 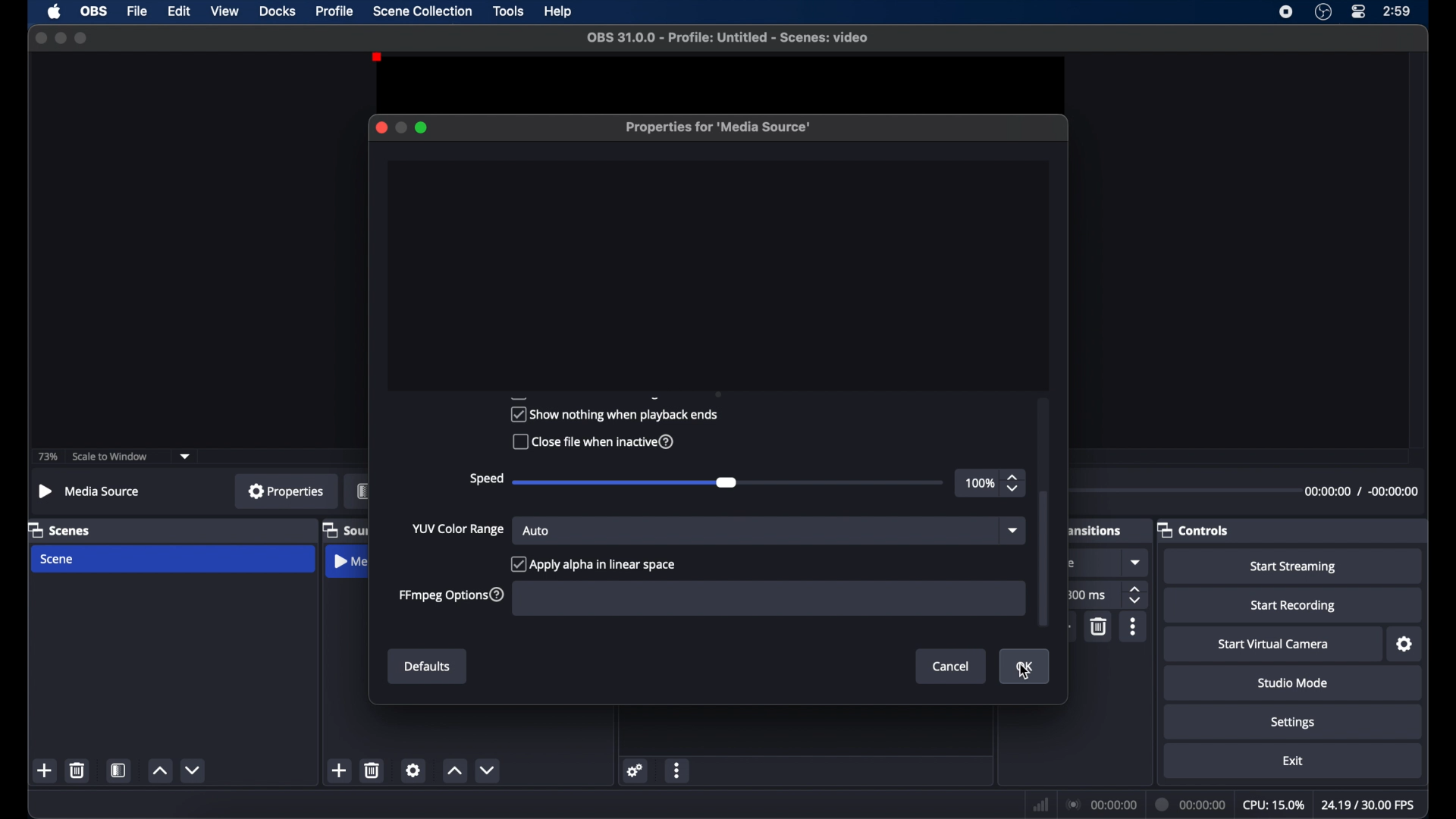 I want to click on scene, so click(x=58, y=560).